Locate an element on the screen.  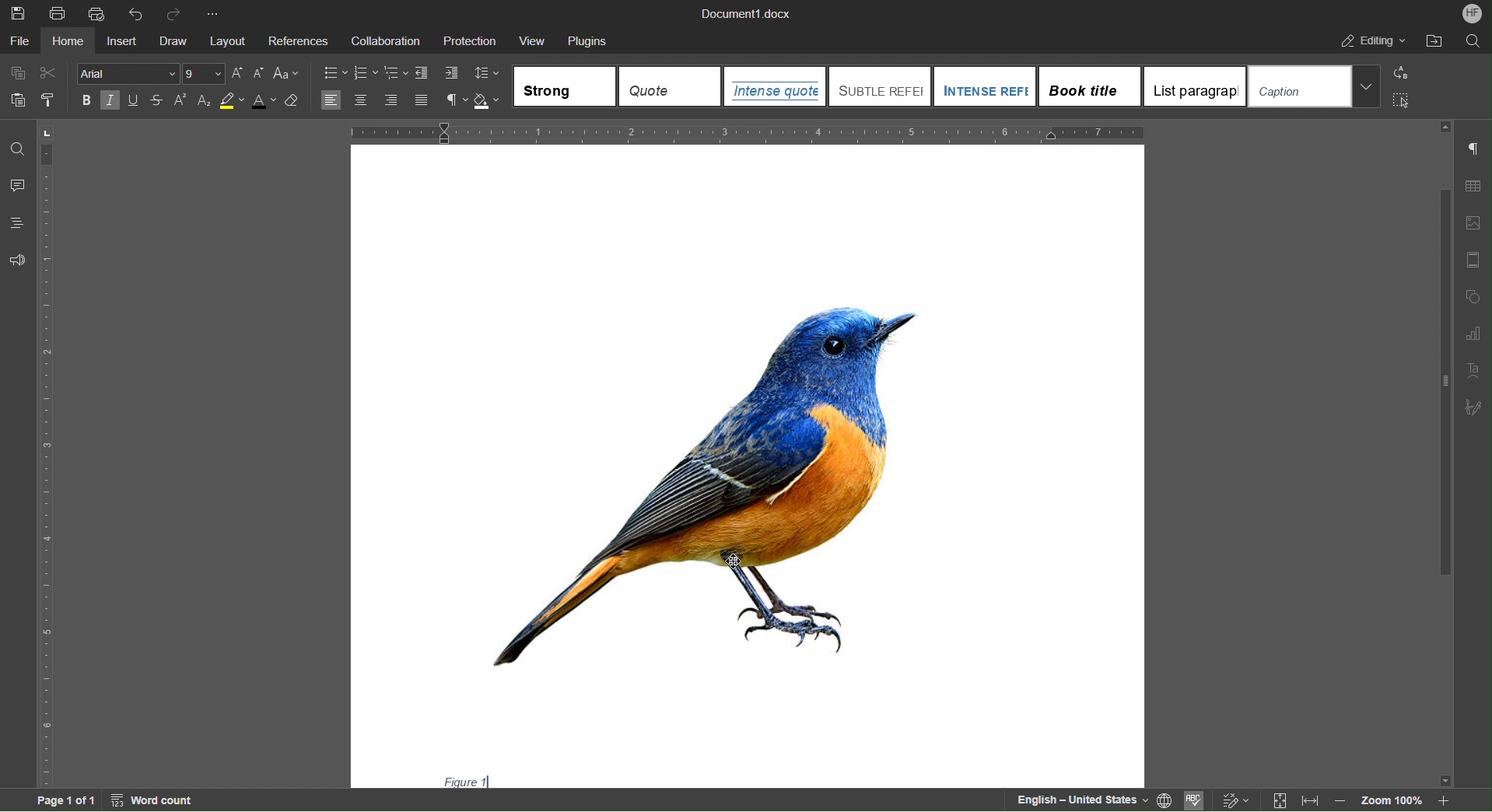
Page 1 of 1 is located at coordinates (54, 800).